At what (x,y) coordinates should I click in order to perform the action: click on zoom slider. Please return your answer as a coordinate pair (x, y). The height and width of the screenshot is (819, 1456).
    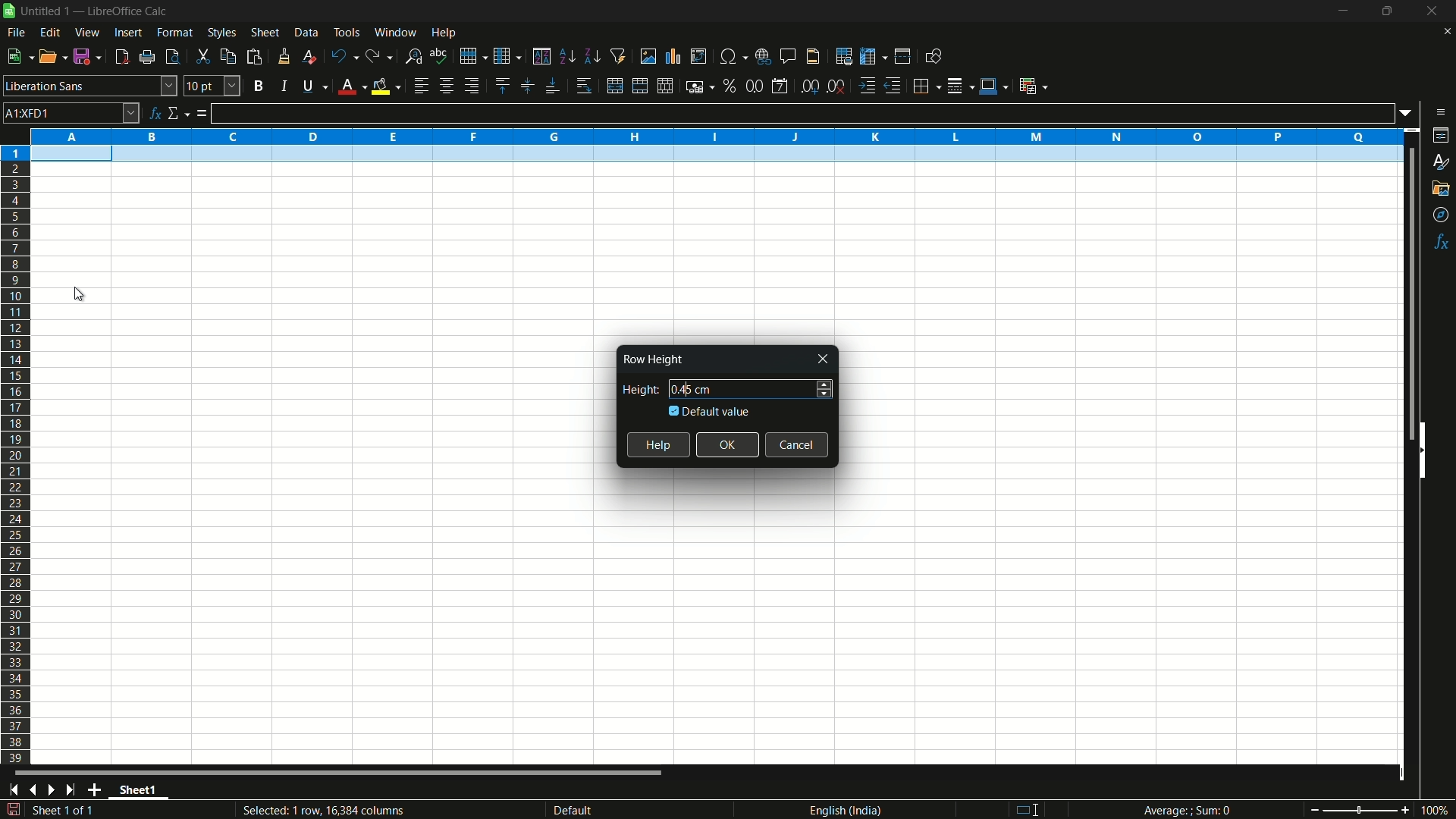
    Looking at the image, I should click on (1359, 809).